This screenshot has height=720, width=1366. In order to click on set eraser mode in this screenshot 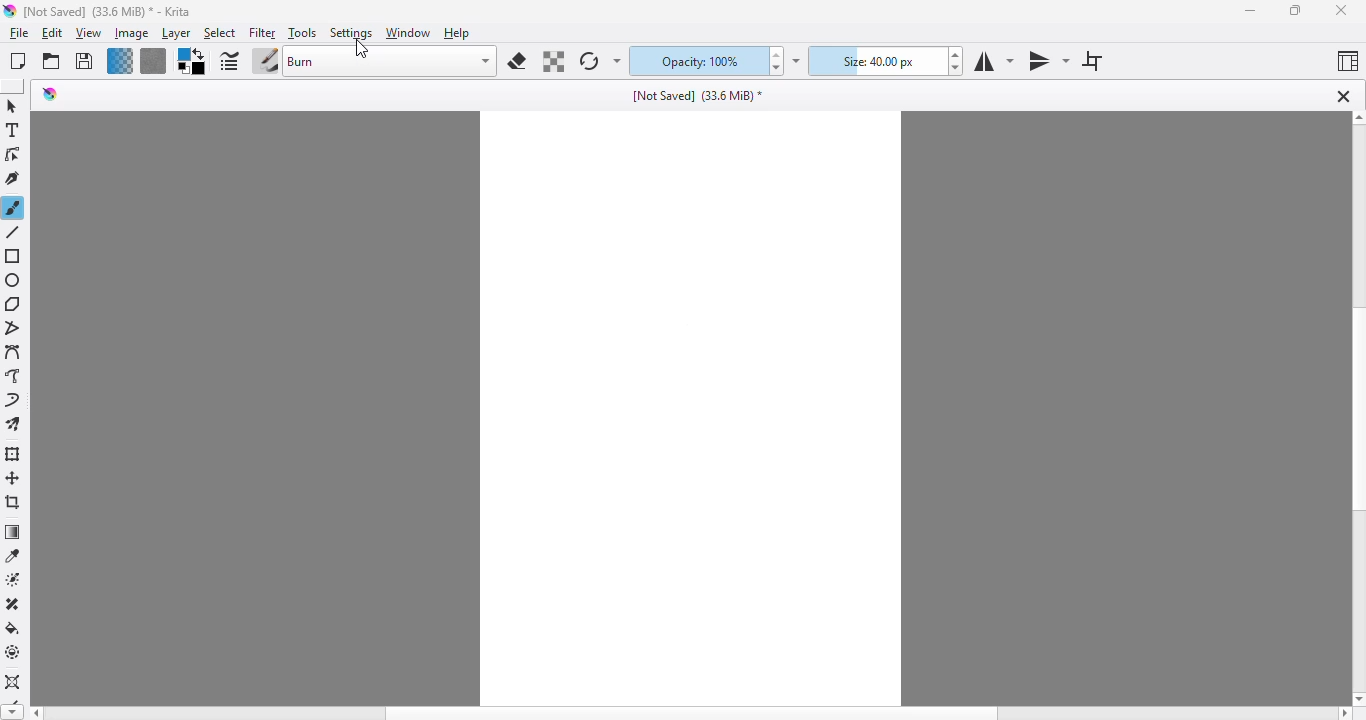, I will do `click(517, 61)`.